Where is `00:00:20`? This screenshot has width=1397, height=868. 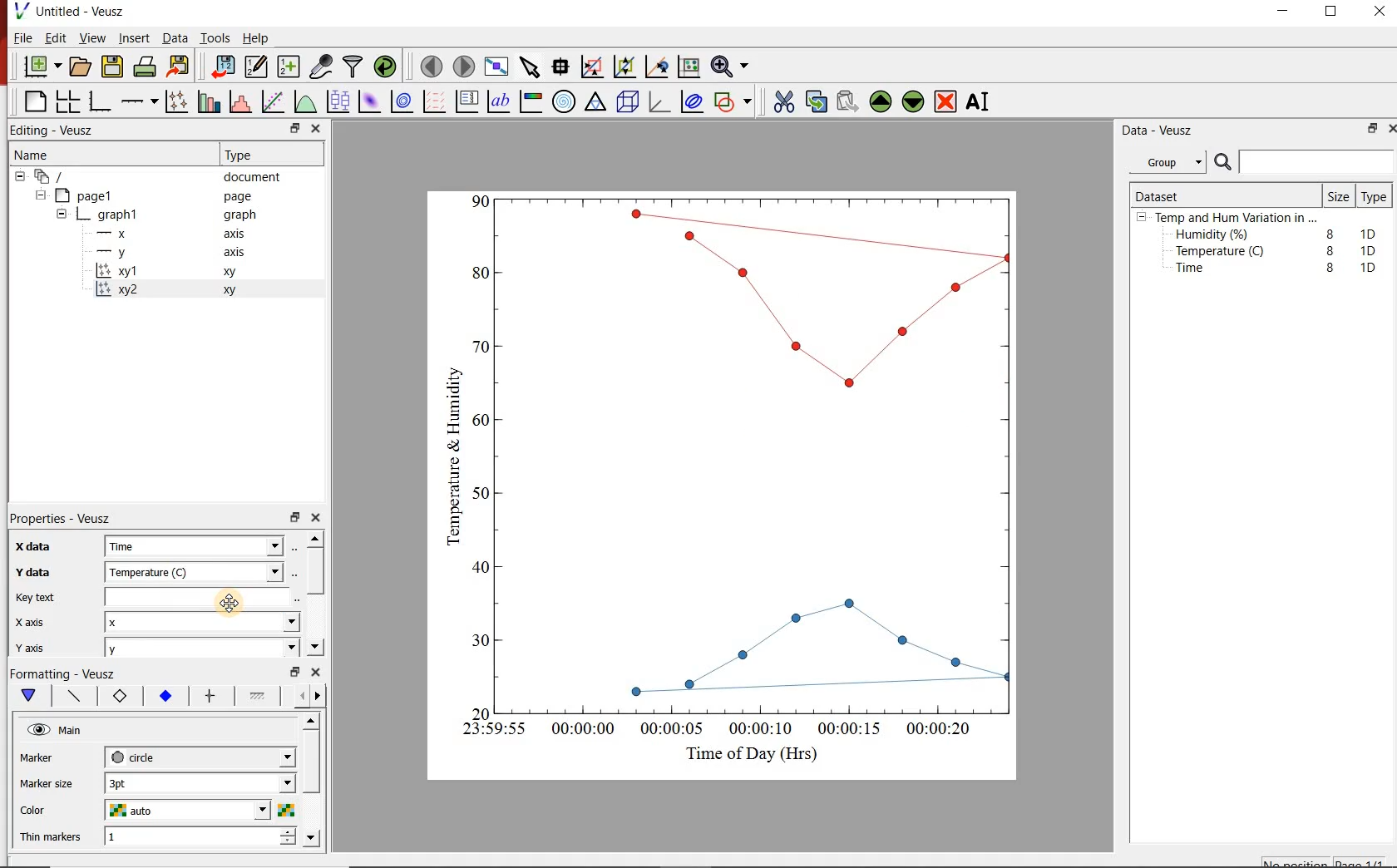
00:00:20 is located at coordinates (945, 730).